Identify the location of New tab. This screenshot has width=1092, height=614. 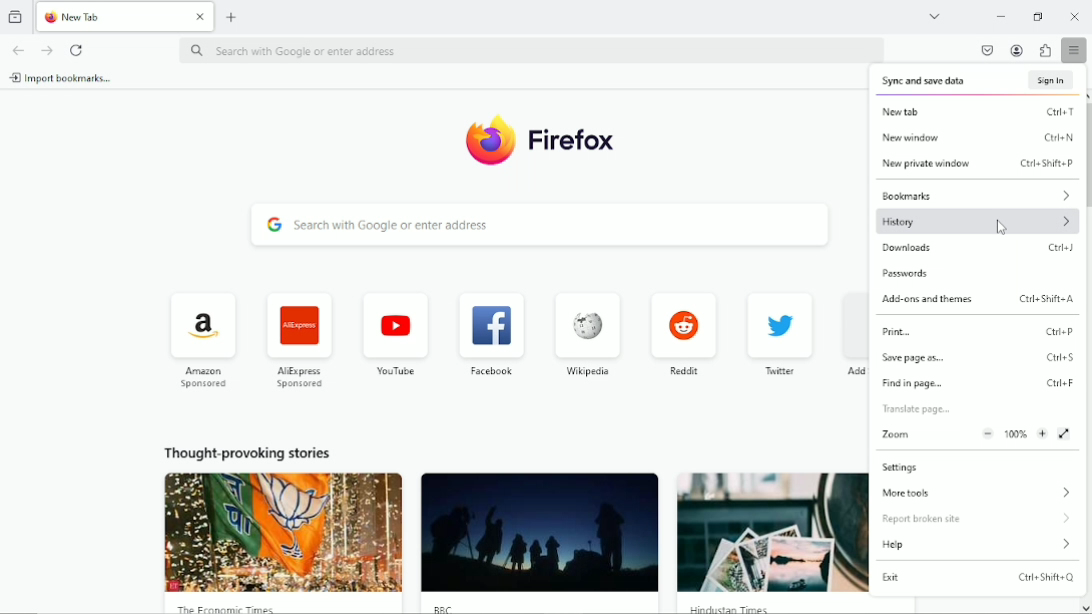
(235, 17).